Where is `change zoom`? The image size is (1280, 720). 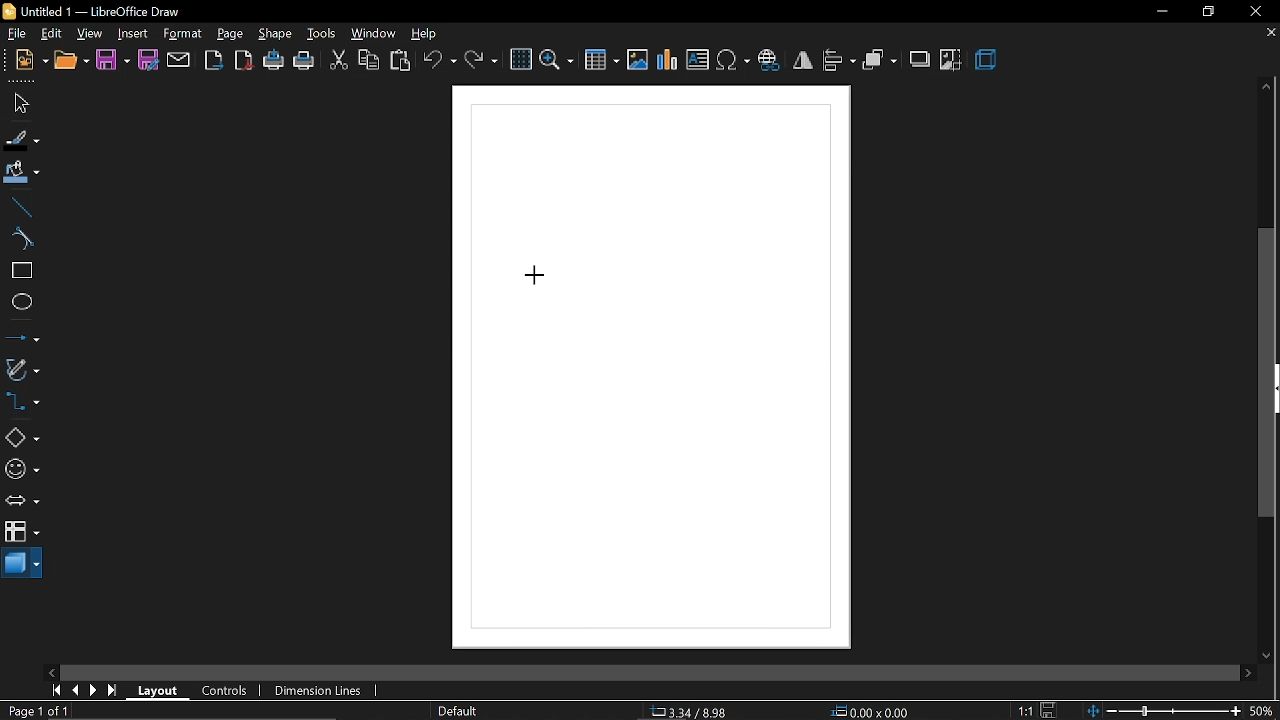
change zoom is located at coordinates (1160, 712).